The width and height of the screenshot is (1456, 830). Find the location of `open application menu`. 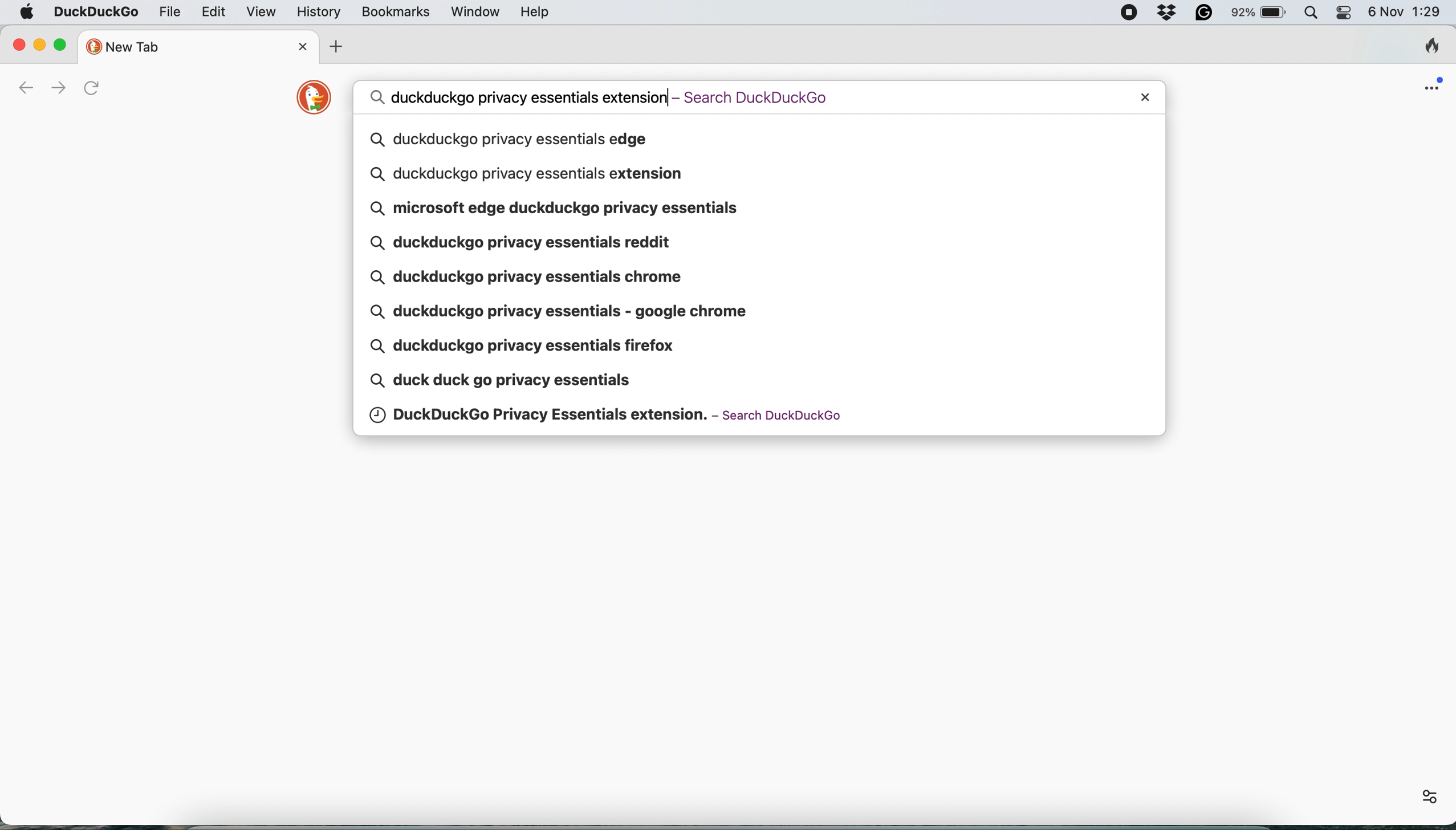

open application menu is located at coordinates (1438, 80).